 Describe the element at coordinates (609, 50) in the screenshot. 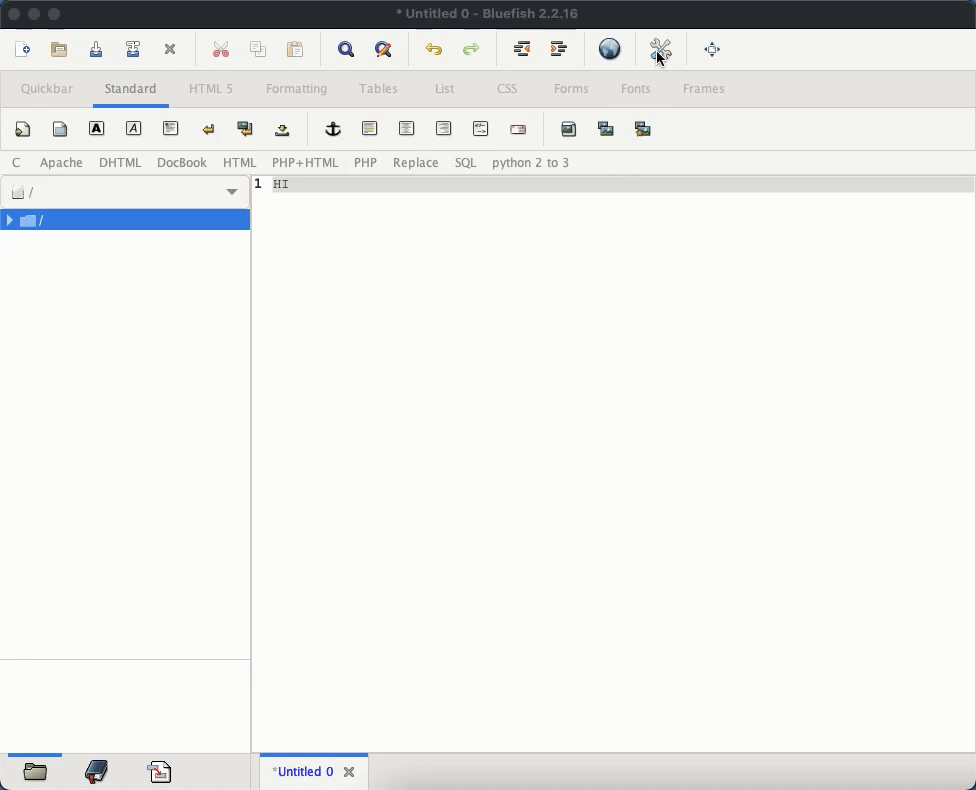

I see `preview in browser` at that location.